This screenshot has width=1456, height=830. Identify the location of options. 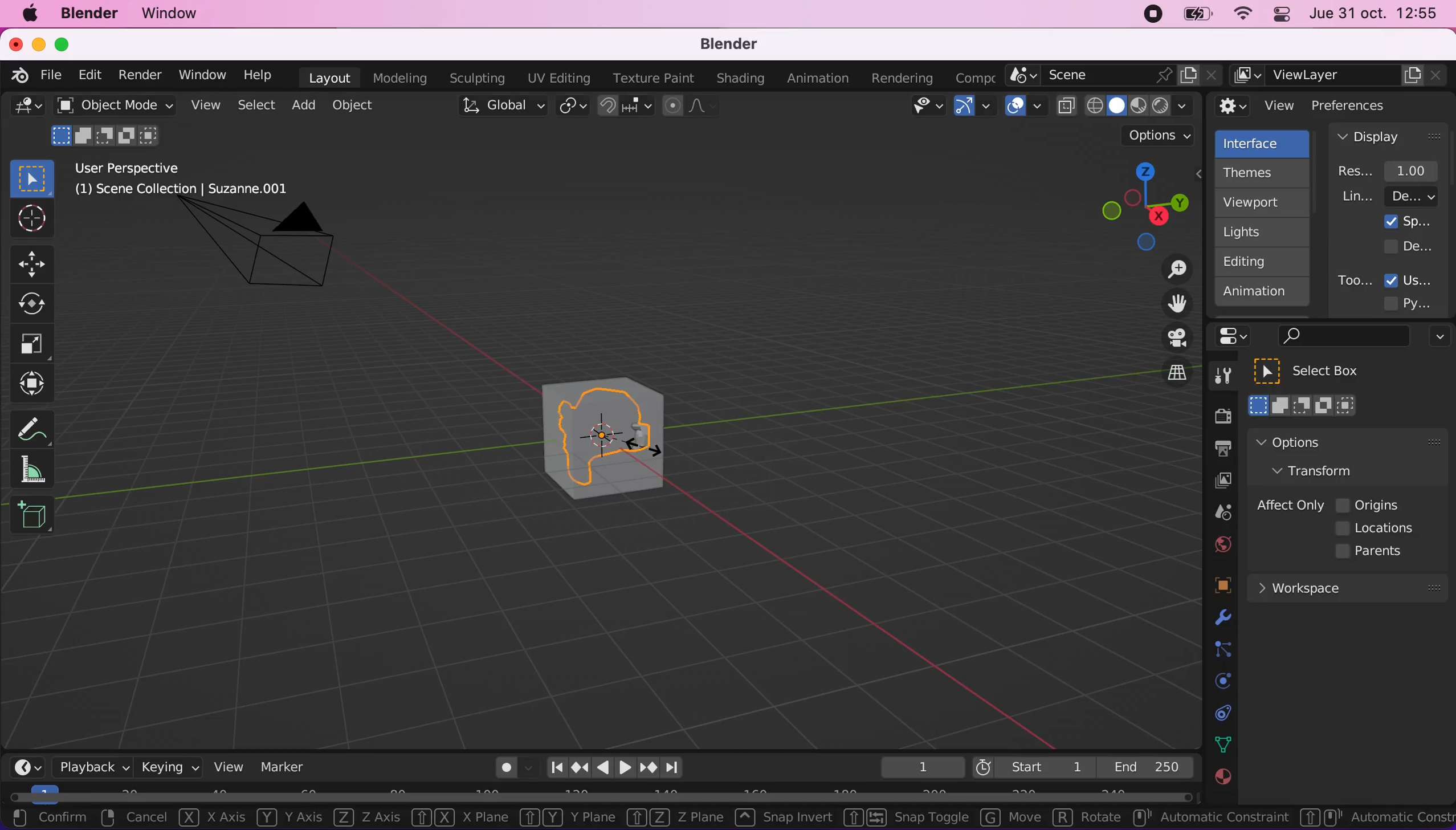
(1437, 338).